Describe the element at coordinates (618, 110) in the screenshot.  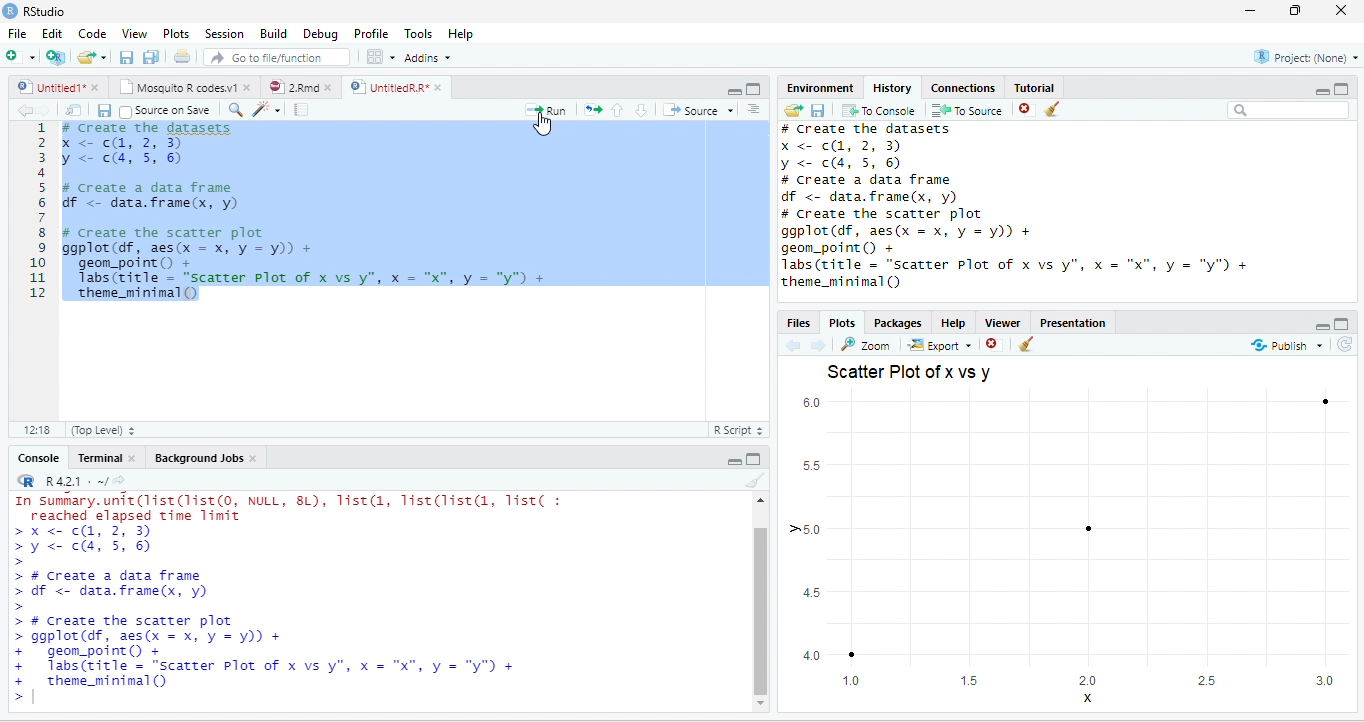
I see `Go to previous section/chunk` at that location.